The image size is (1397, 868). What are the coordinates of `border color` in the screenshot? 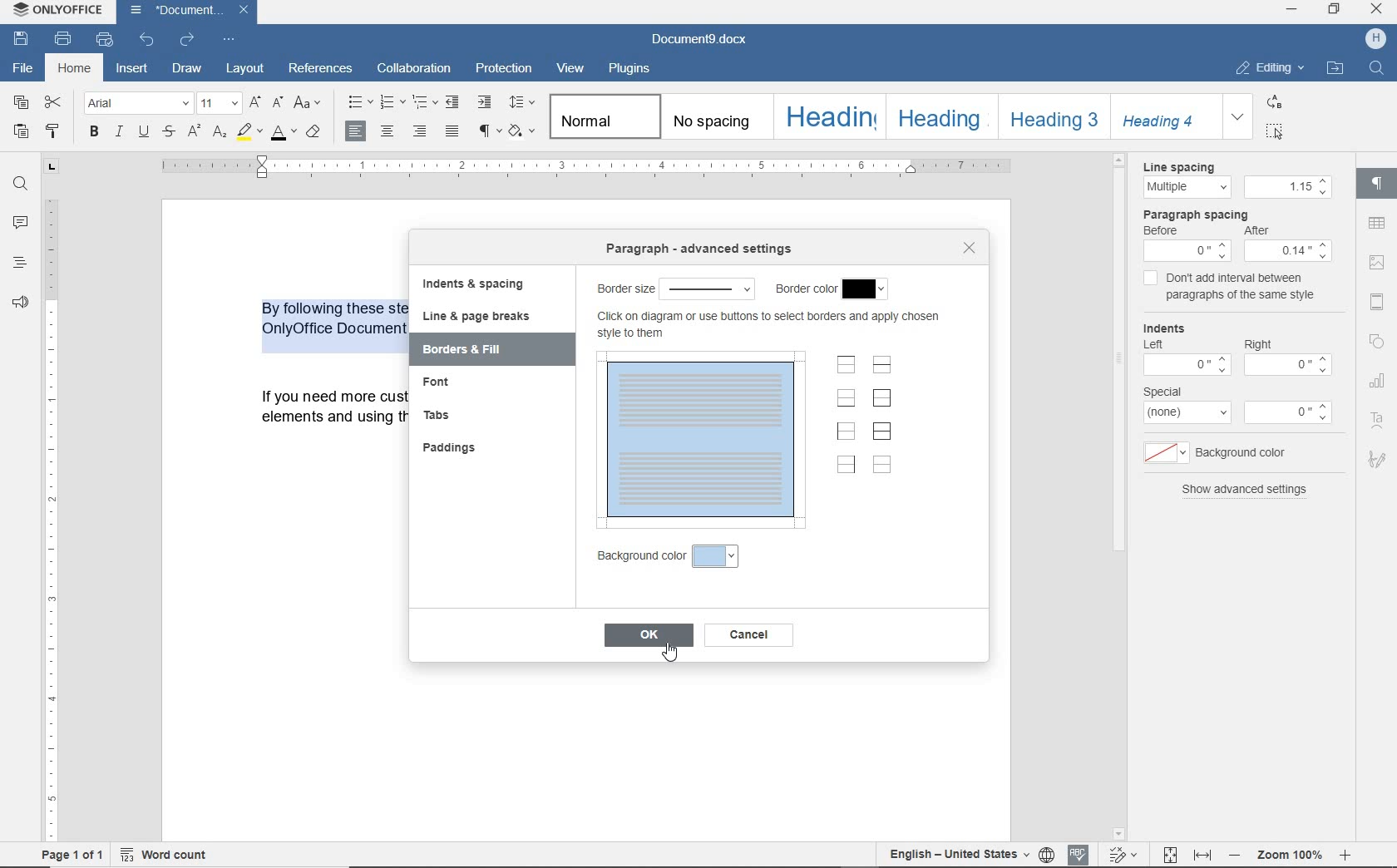 It's located at (804, 289).